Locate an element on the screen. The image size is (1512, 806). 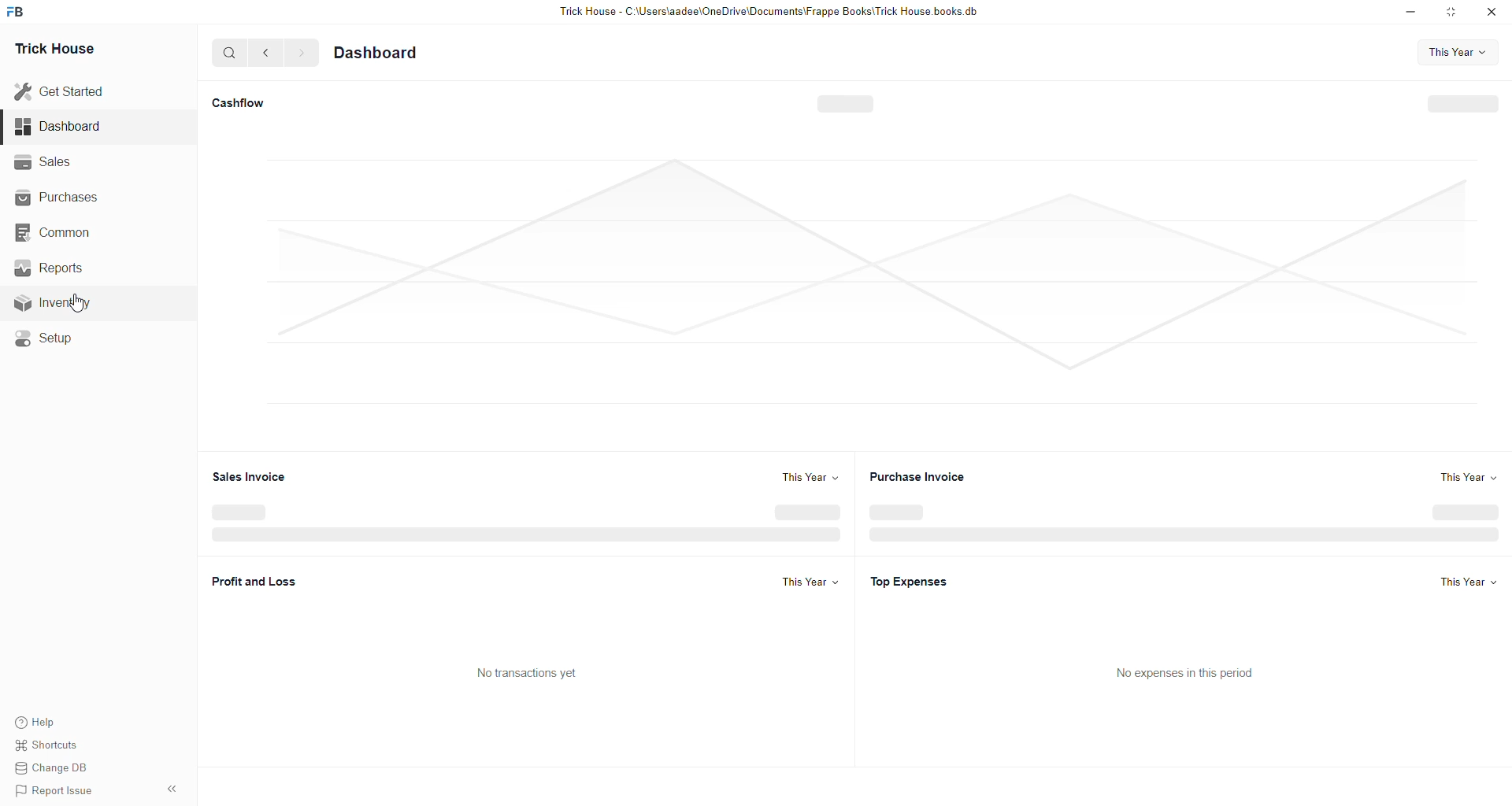
Trick House is located at coordinates (62, 48).